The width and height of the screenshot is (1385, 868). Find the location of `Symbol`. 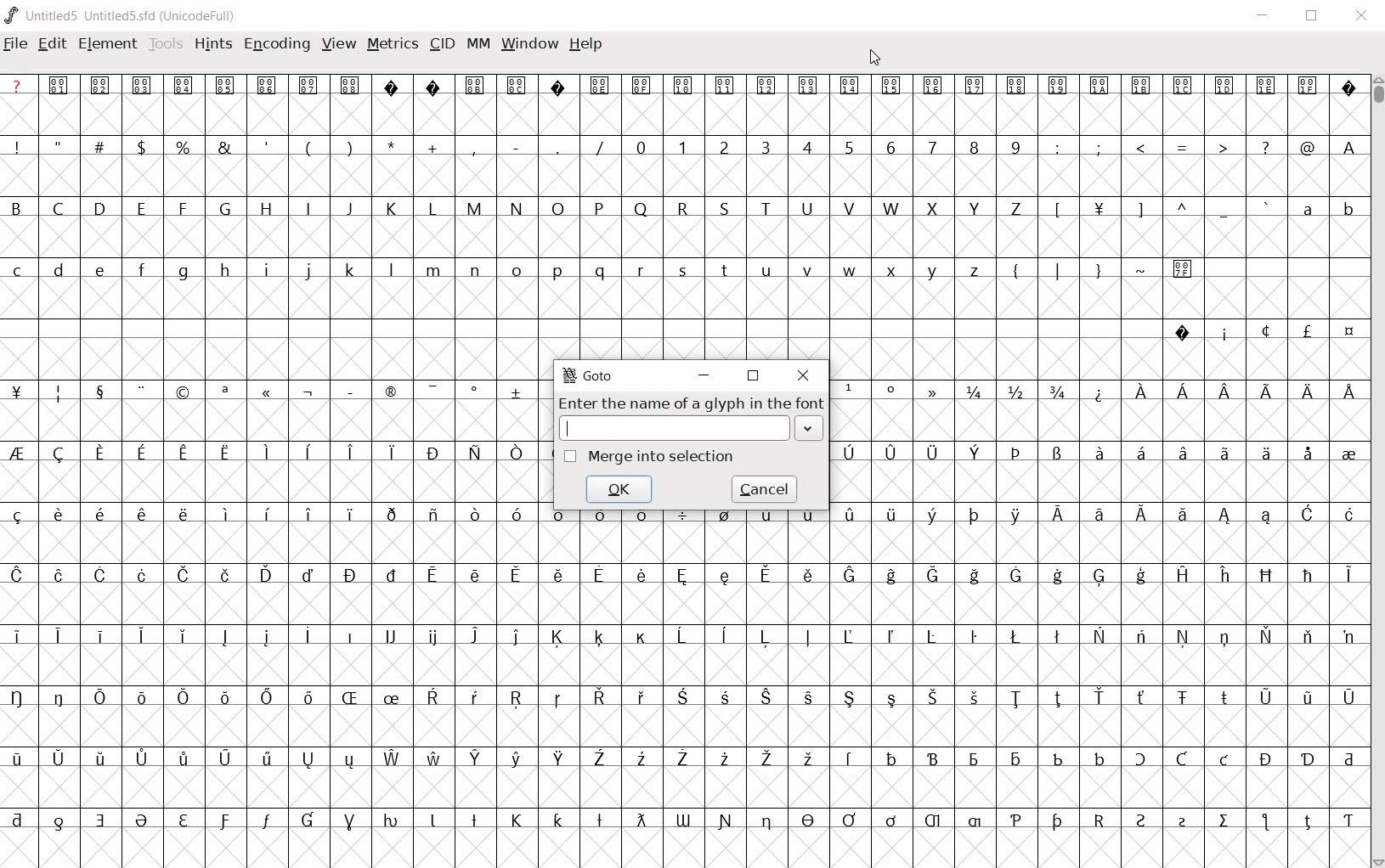

Symbol is located at coordinates (20, 820).